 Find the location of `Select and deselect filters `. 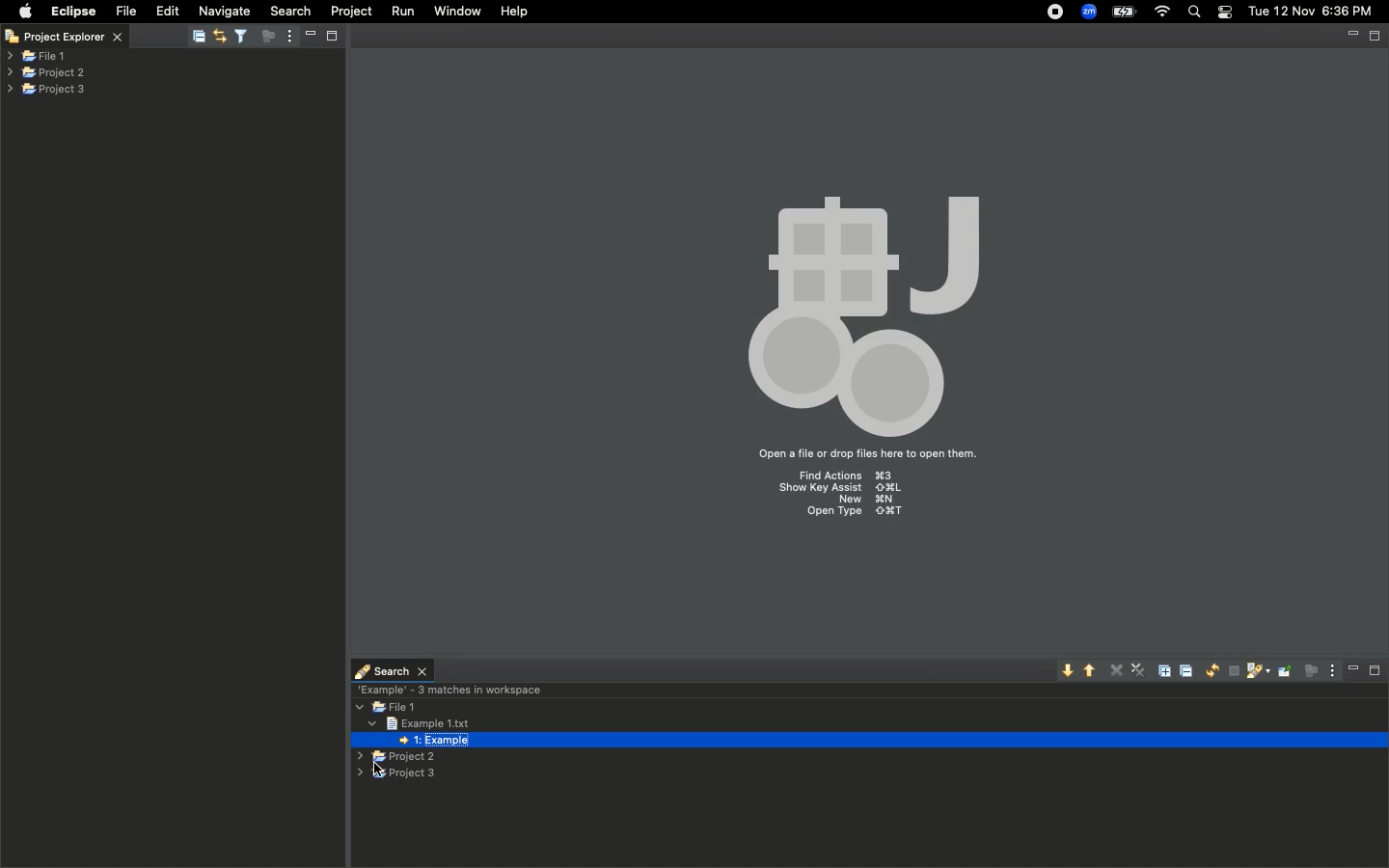

Select and deselect filters  is located at coordinates (245, 34).